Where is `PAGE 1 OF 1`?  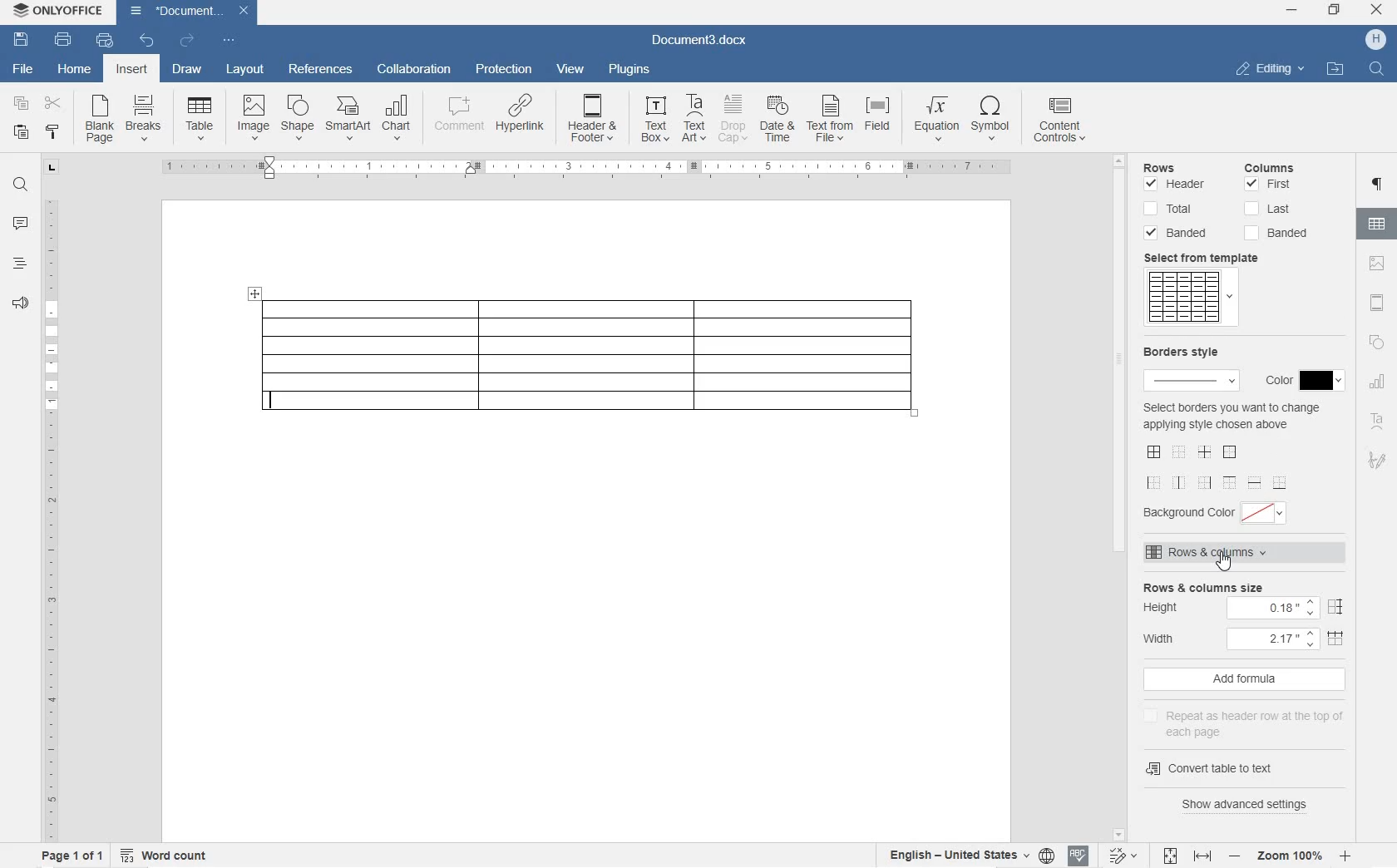 PAGE 1 OF 1 is located at coordinates (72, 856).